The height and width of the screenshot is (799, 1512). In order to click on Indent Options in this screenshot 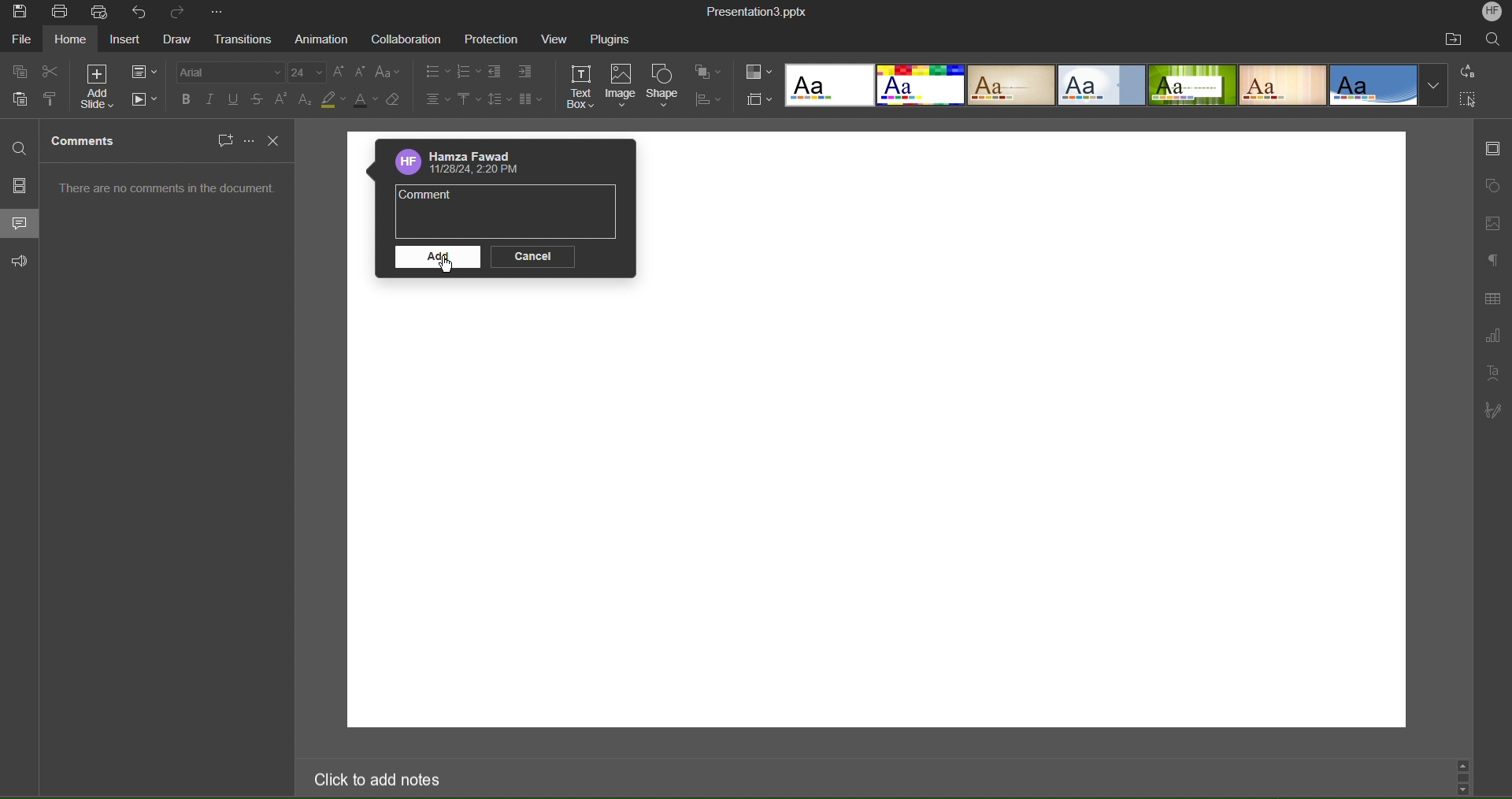, I will do `click(499, 72)`.